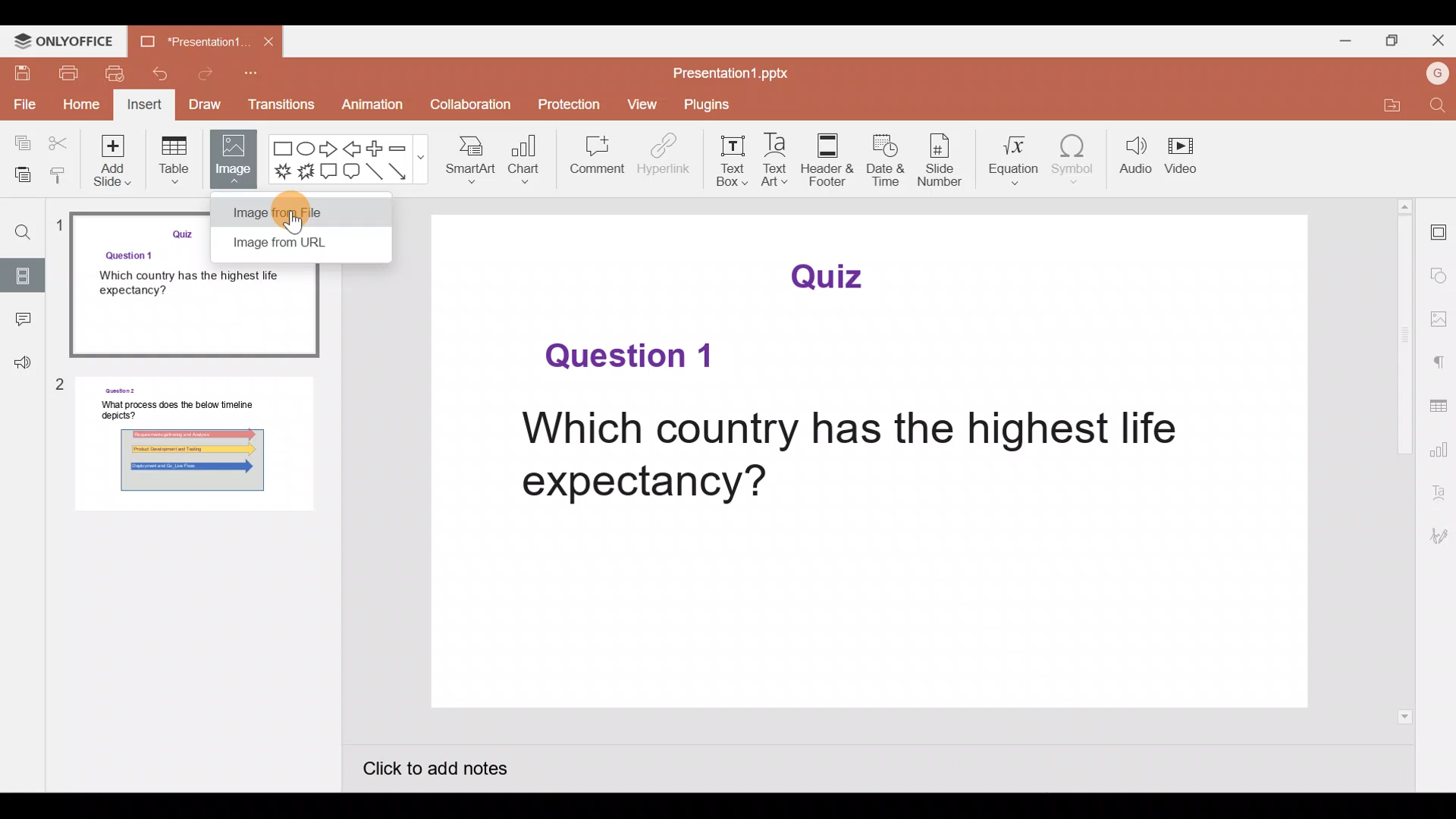  I want to click on Find, so click(18, 227).